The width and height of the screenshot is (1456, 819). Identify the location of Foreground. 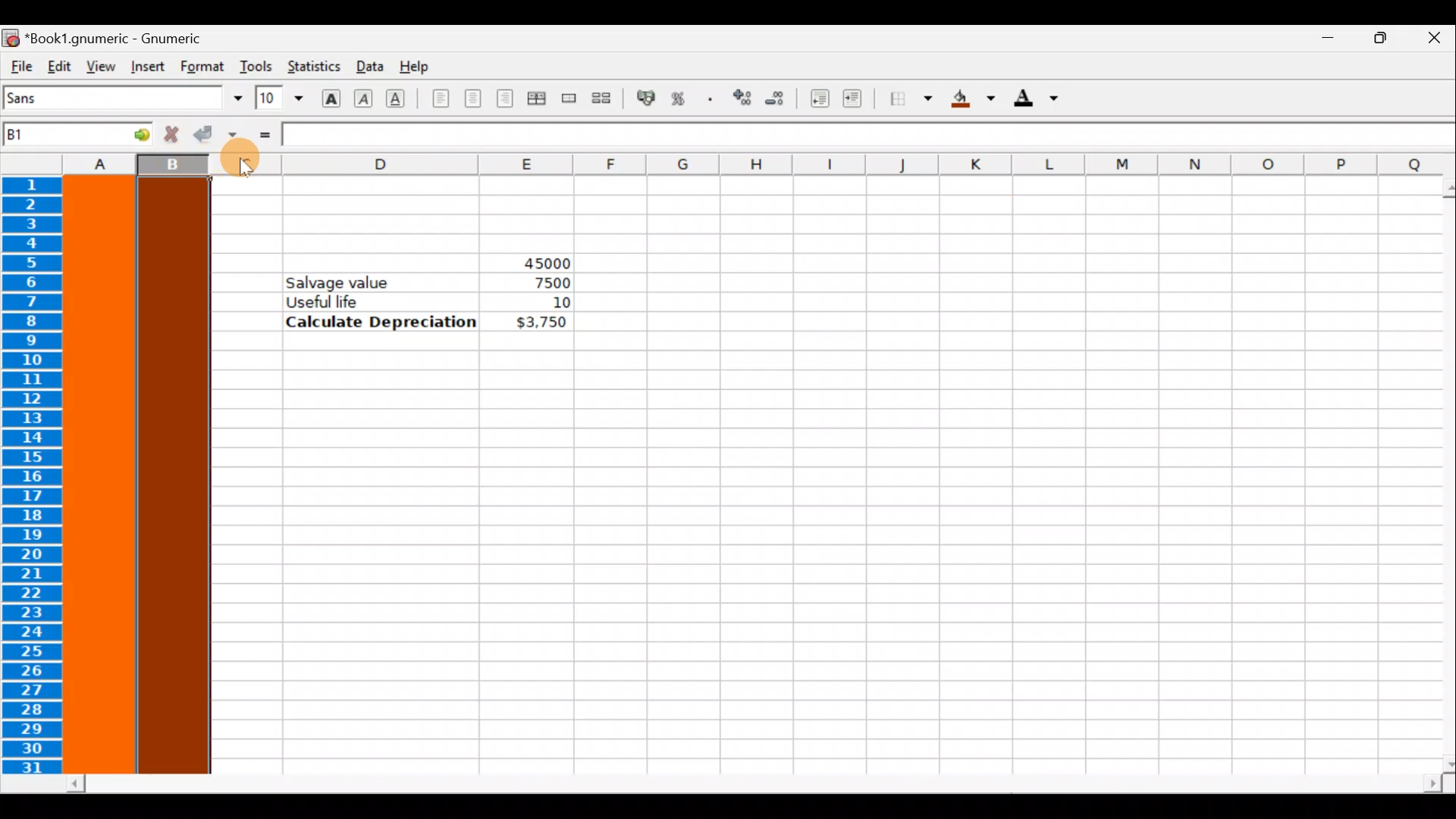
(1041, 99).